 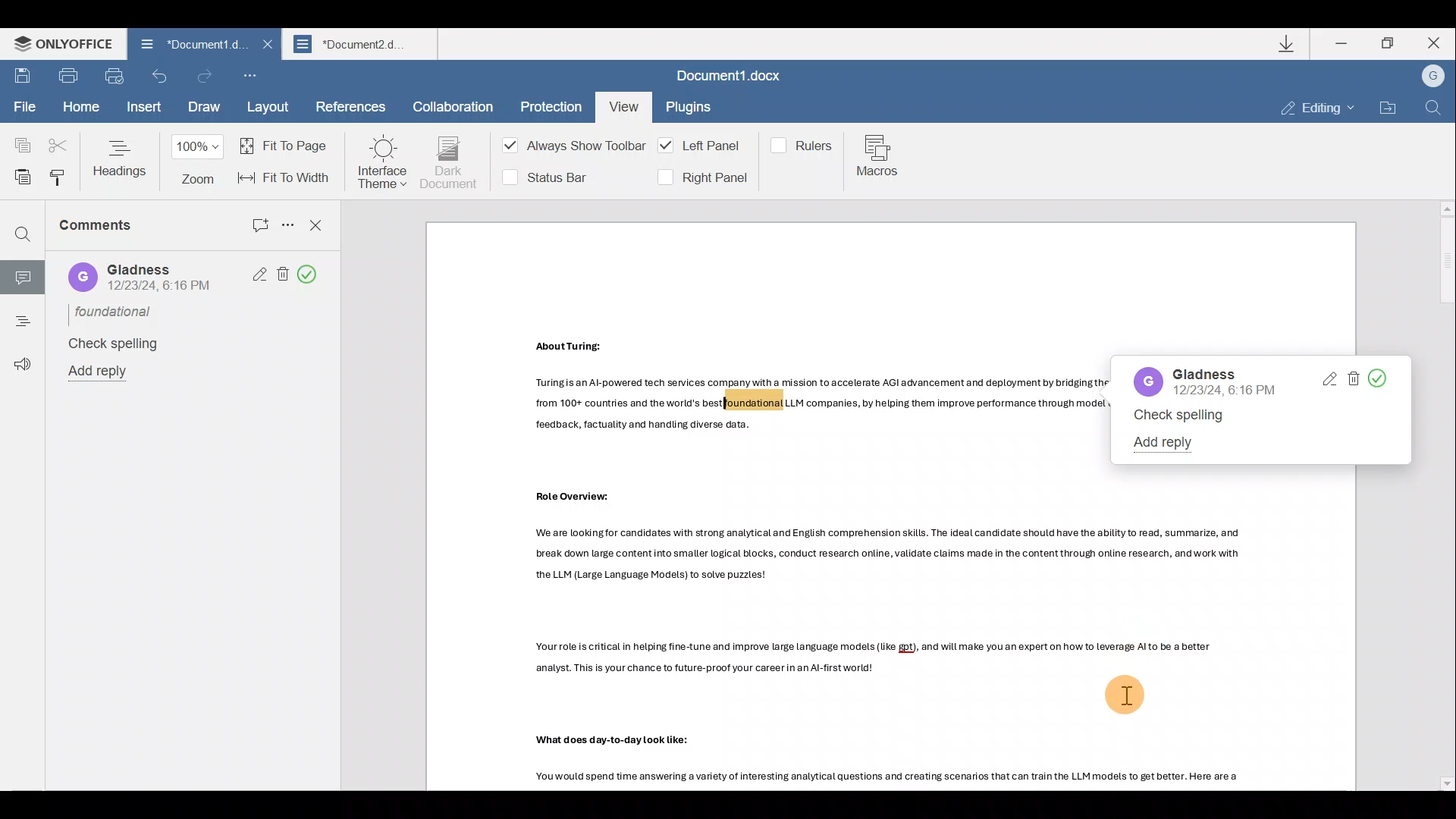 What do you see at coordinates (1343, 42) in the screenshot?
I see `Minimize` at bounding box center [1343, 42].